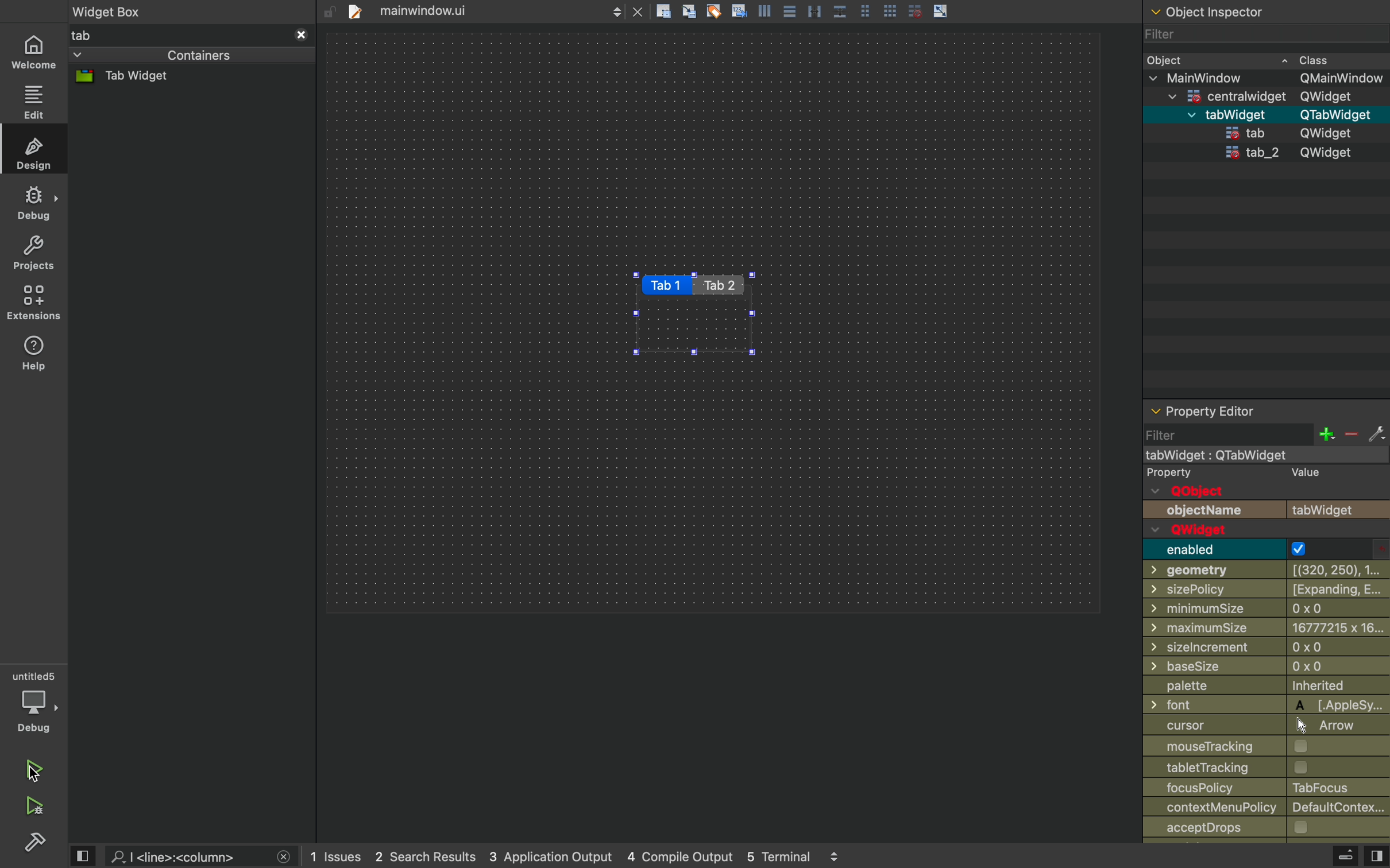  What do you see at coordinates (300, 34) in the screenshot?
I see `close` at bounding box center [300, 34].